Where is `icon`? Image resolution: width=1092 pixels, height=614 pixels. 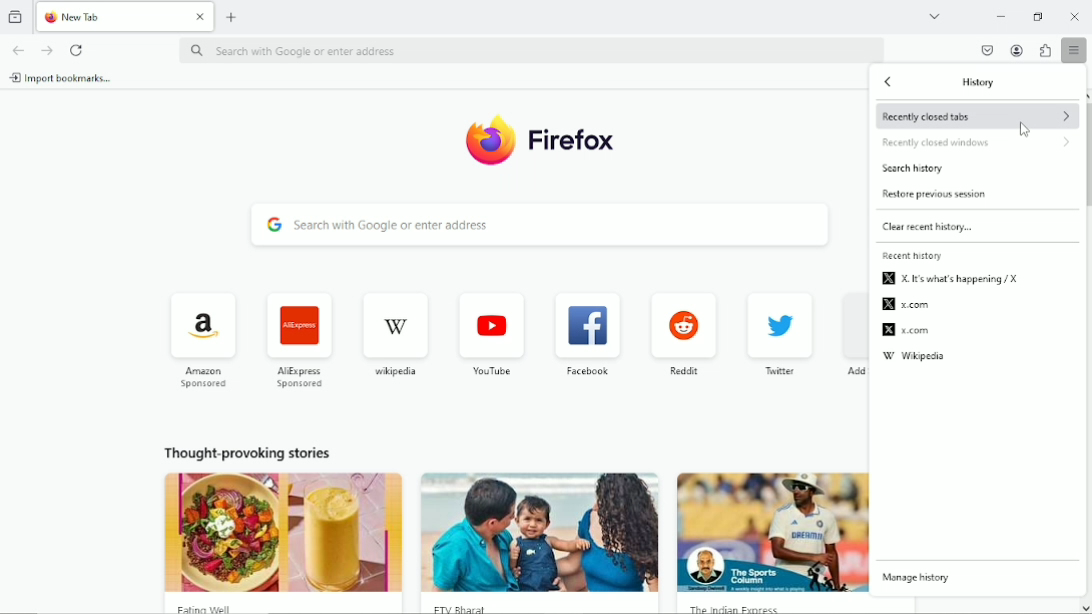
icon is located at coordinates (491, 329).